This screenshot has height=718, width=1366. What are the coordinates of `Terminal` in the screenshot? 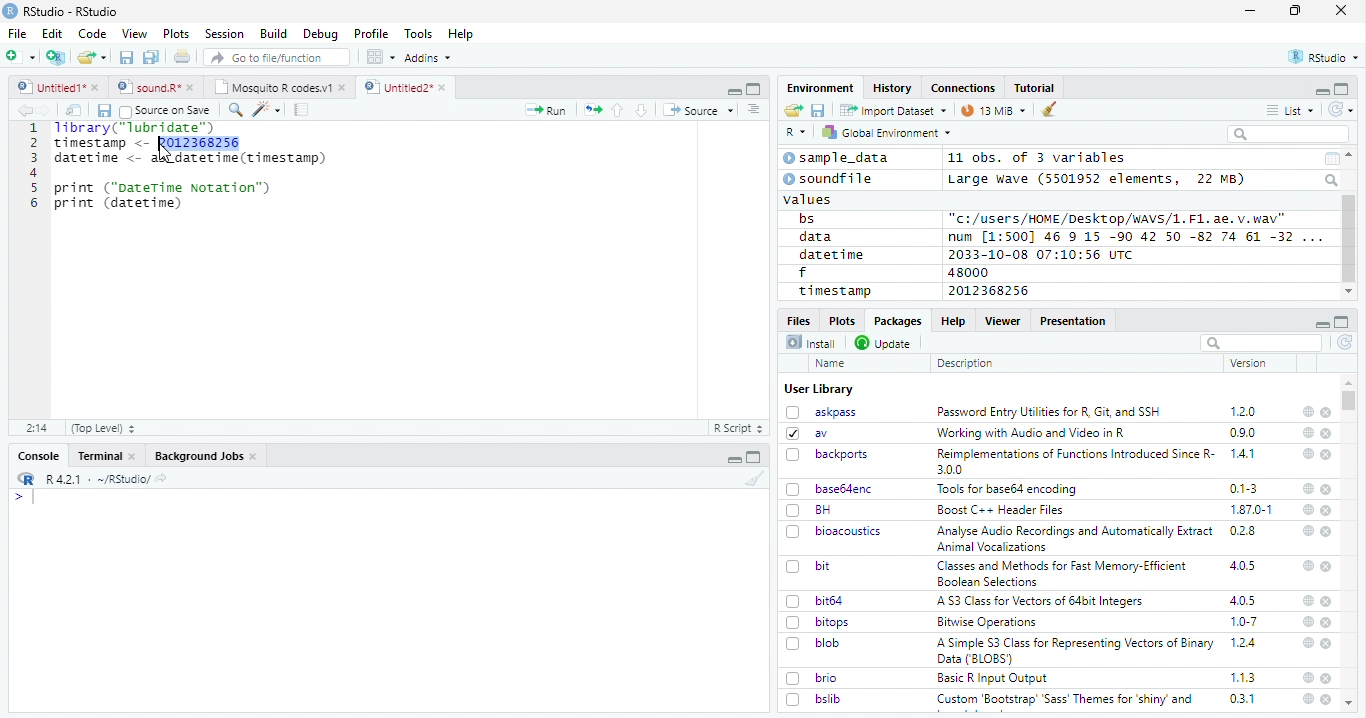 It's located at (106, 456).